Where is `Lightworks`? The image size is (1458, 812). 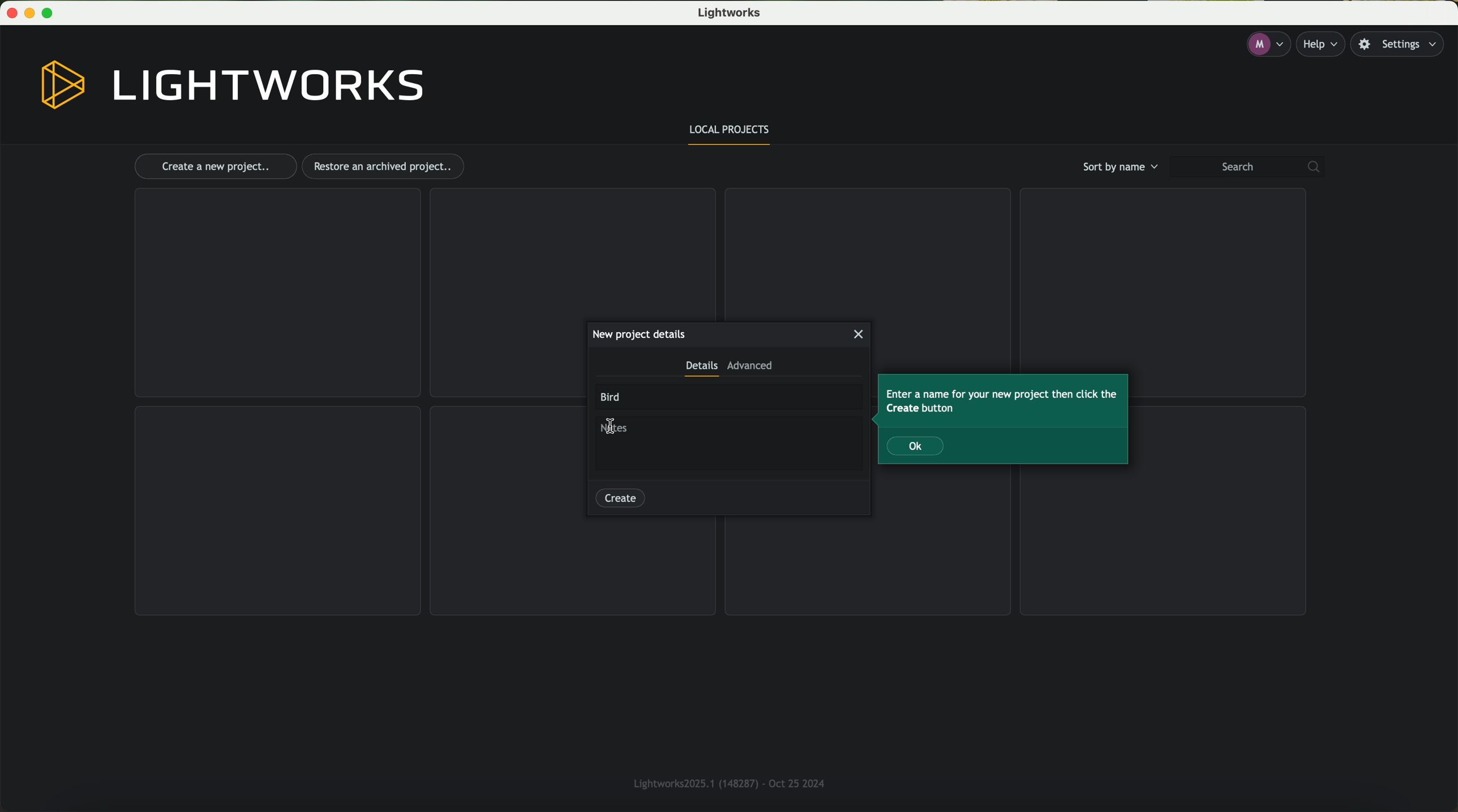 Lightworks is located at coordinates (732, 14).